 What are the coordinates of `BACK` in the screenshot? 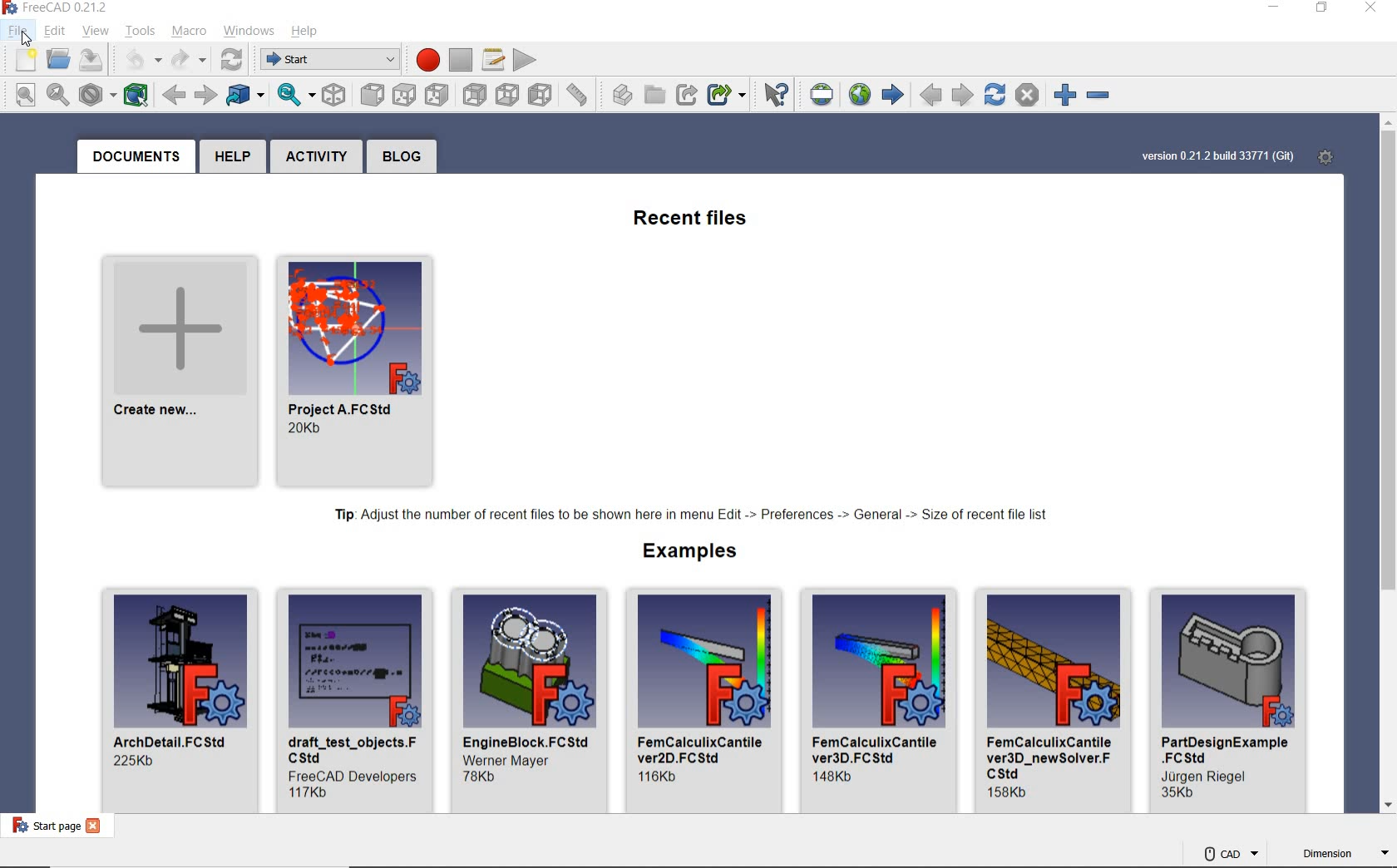 It's located at (173, 95).